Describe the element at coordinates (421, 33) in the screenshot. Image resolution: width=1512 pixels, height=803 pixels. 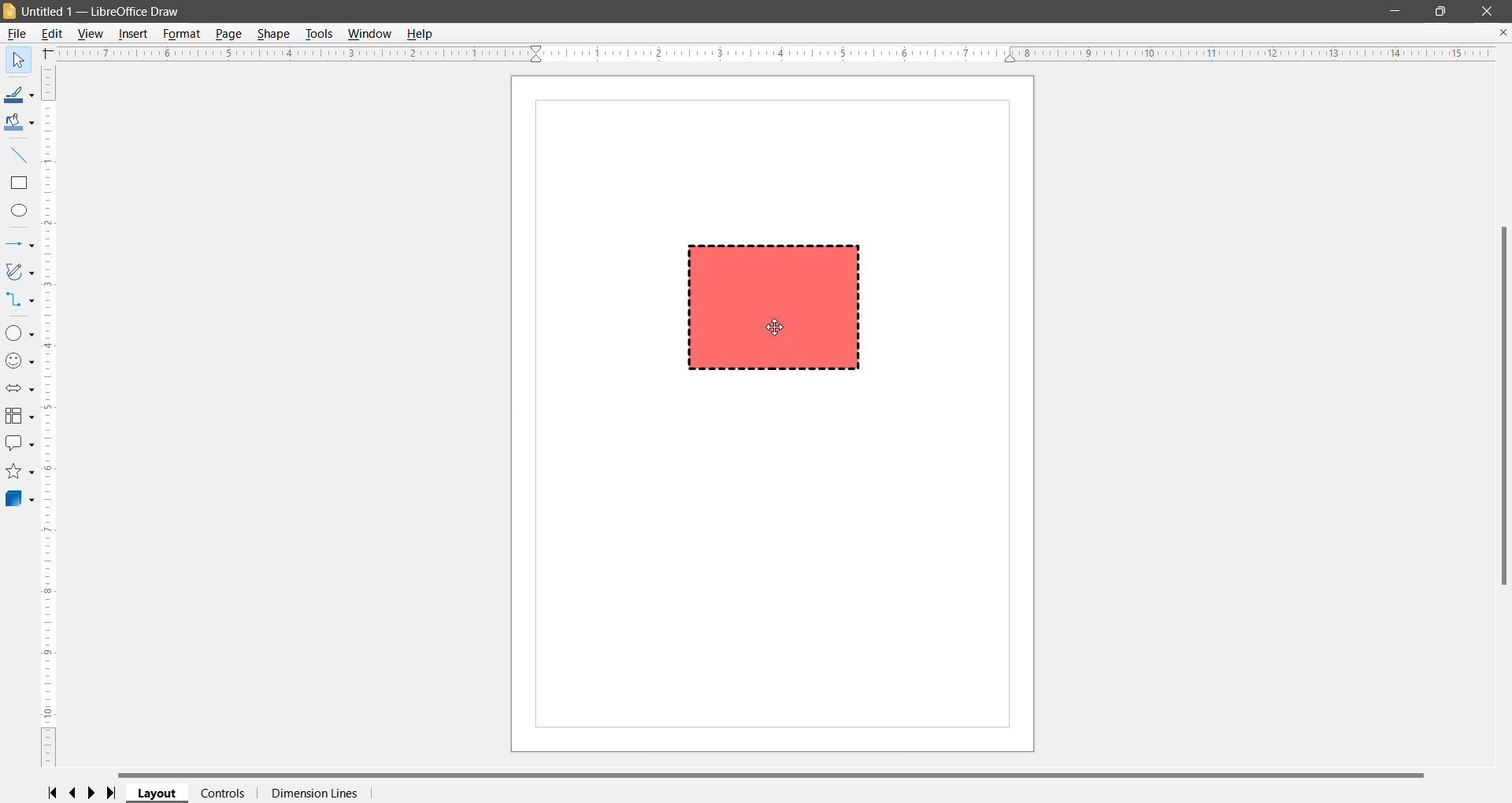
I see `Help` at that location.